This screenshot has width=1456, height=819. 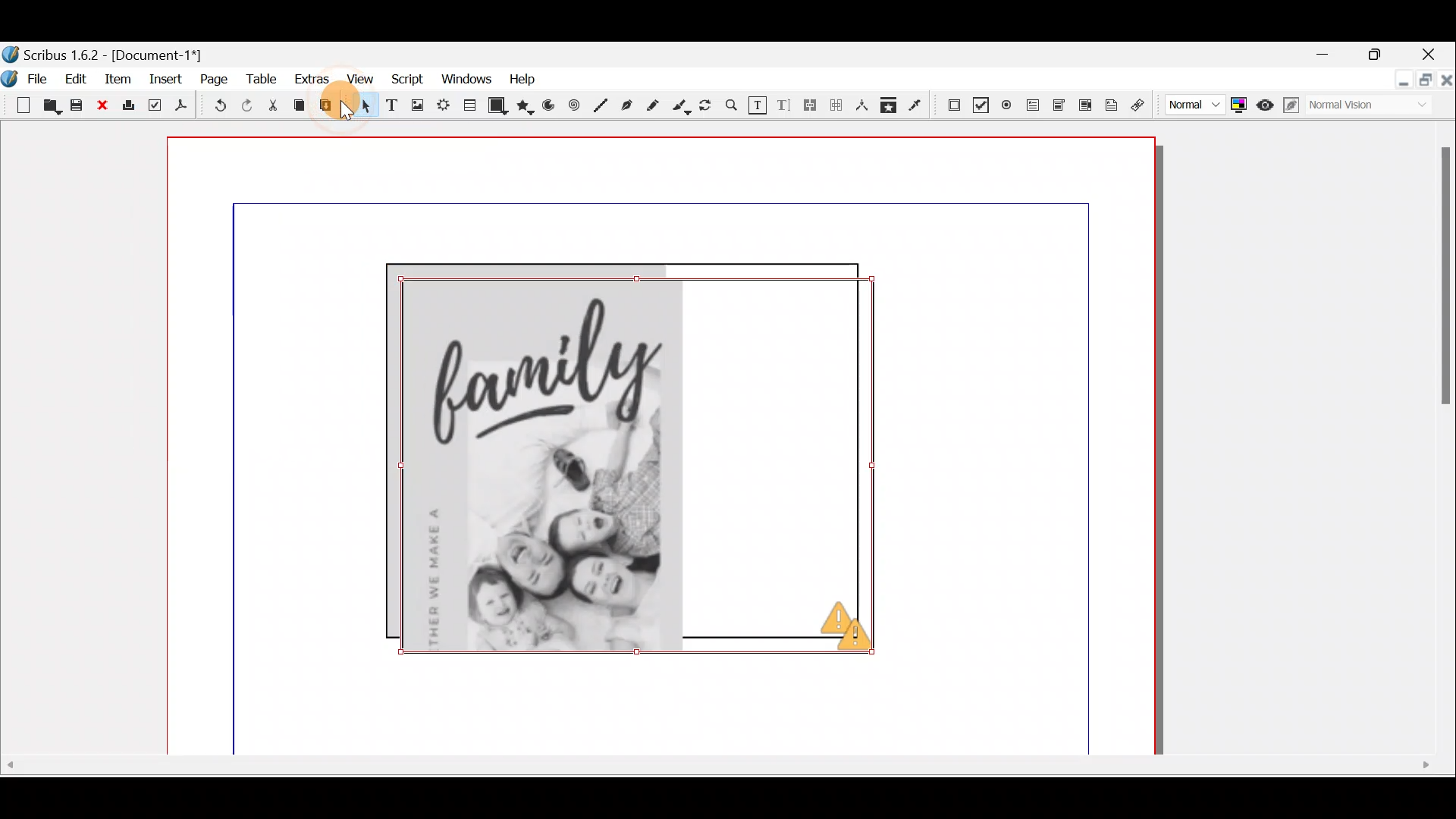 What do you see at coordinates (708, 106) in the screenshot?
I see `Rotate item` at bounding box center [708, 106].